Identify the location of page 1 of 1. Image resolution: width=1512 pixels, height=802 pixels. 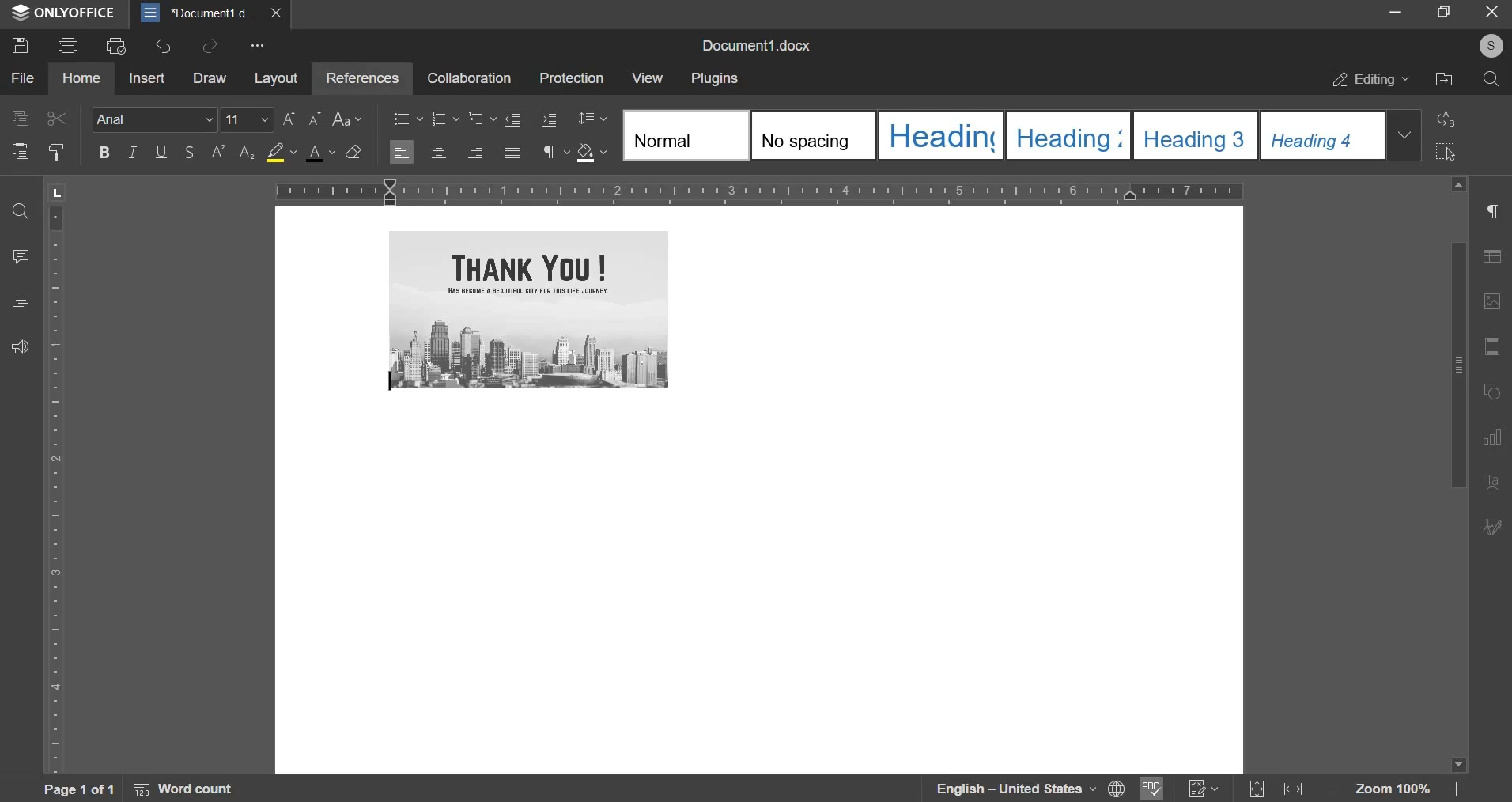
(76, 789).